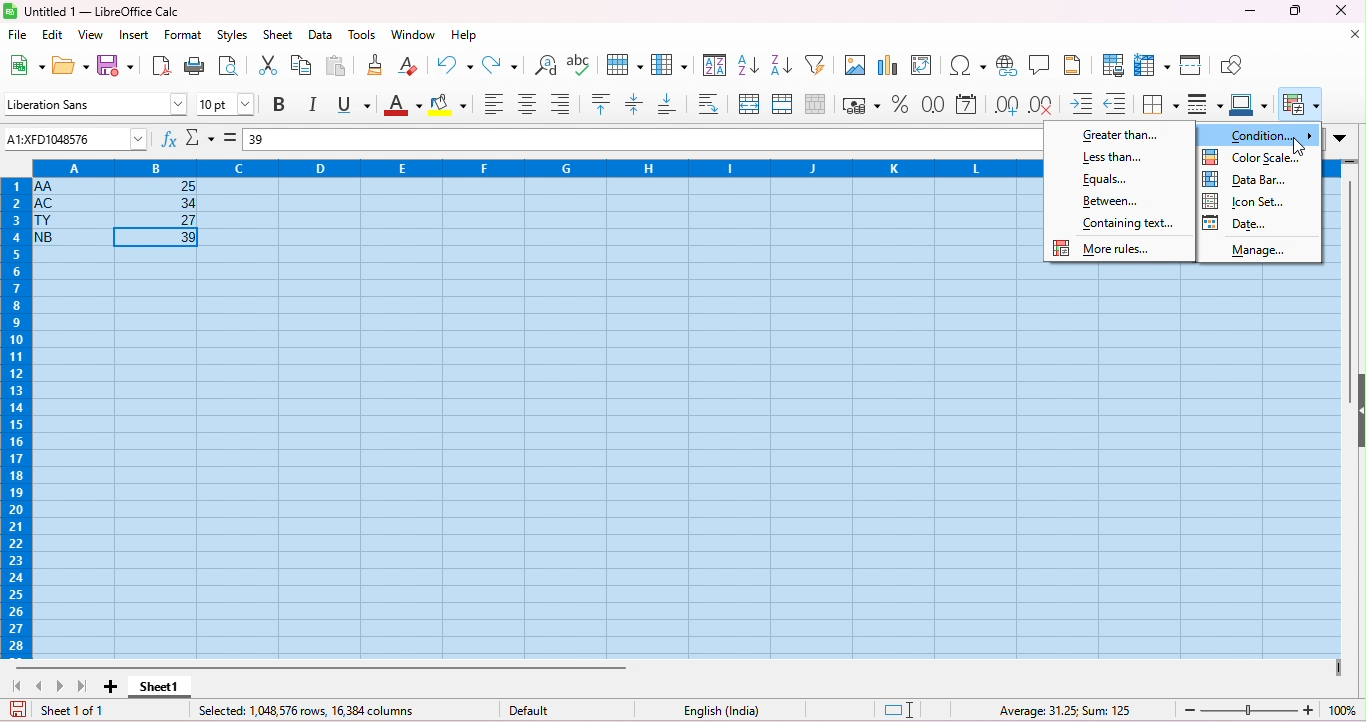  I want to click on insert, so click(133, 35).